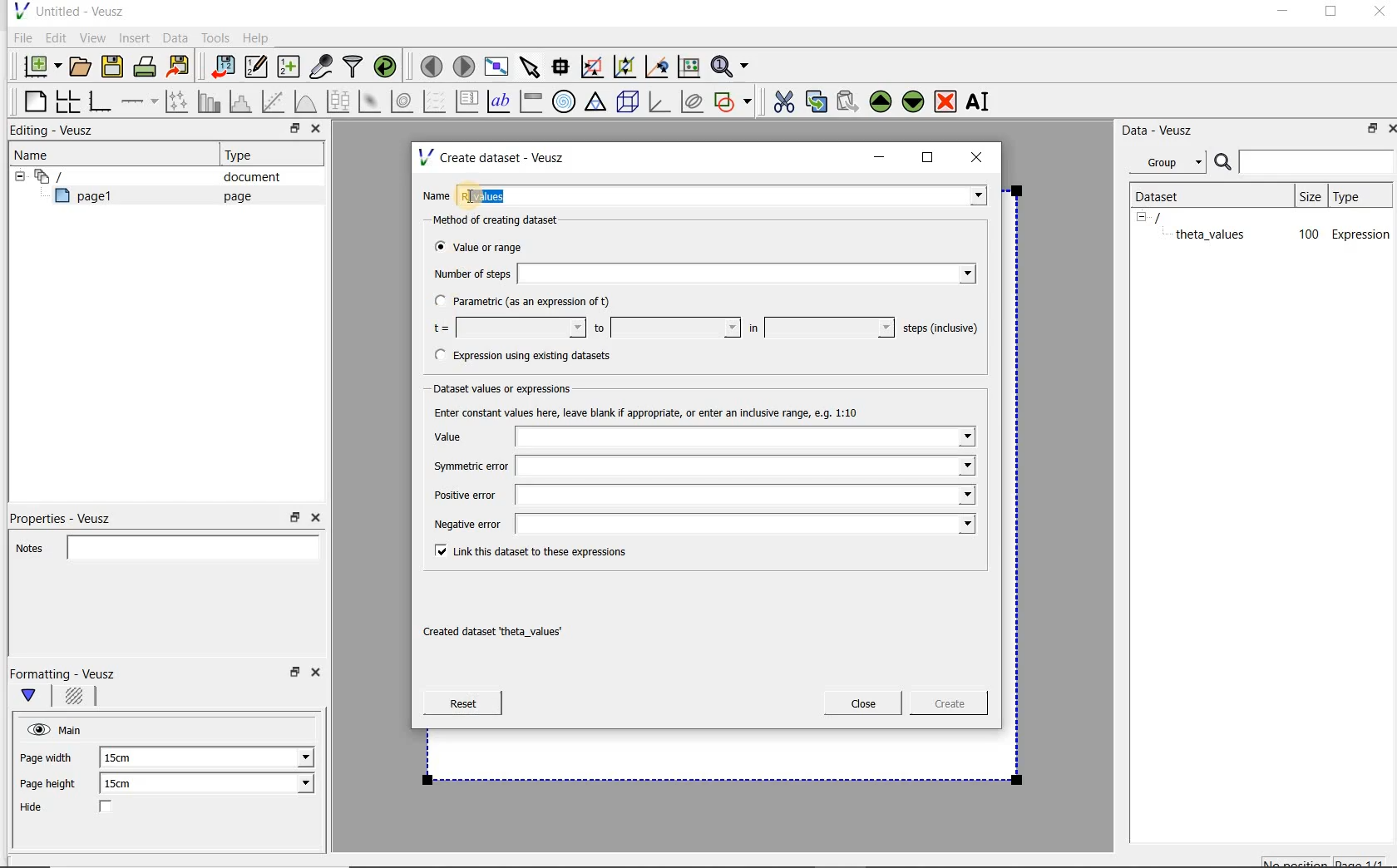 The image size is (1397, 868). What do you see at coordinates (245, 177) in the screenshot?
I see `document` at bounding box center [245, 177].